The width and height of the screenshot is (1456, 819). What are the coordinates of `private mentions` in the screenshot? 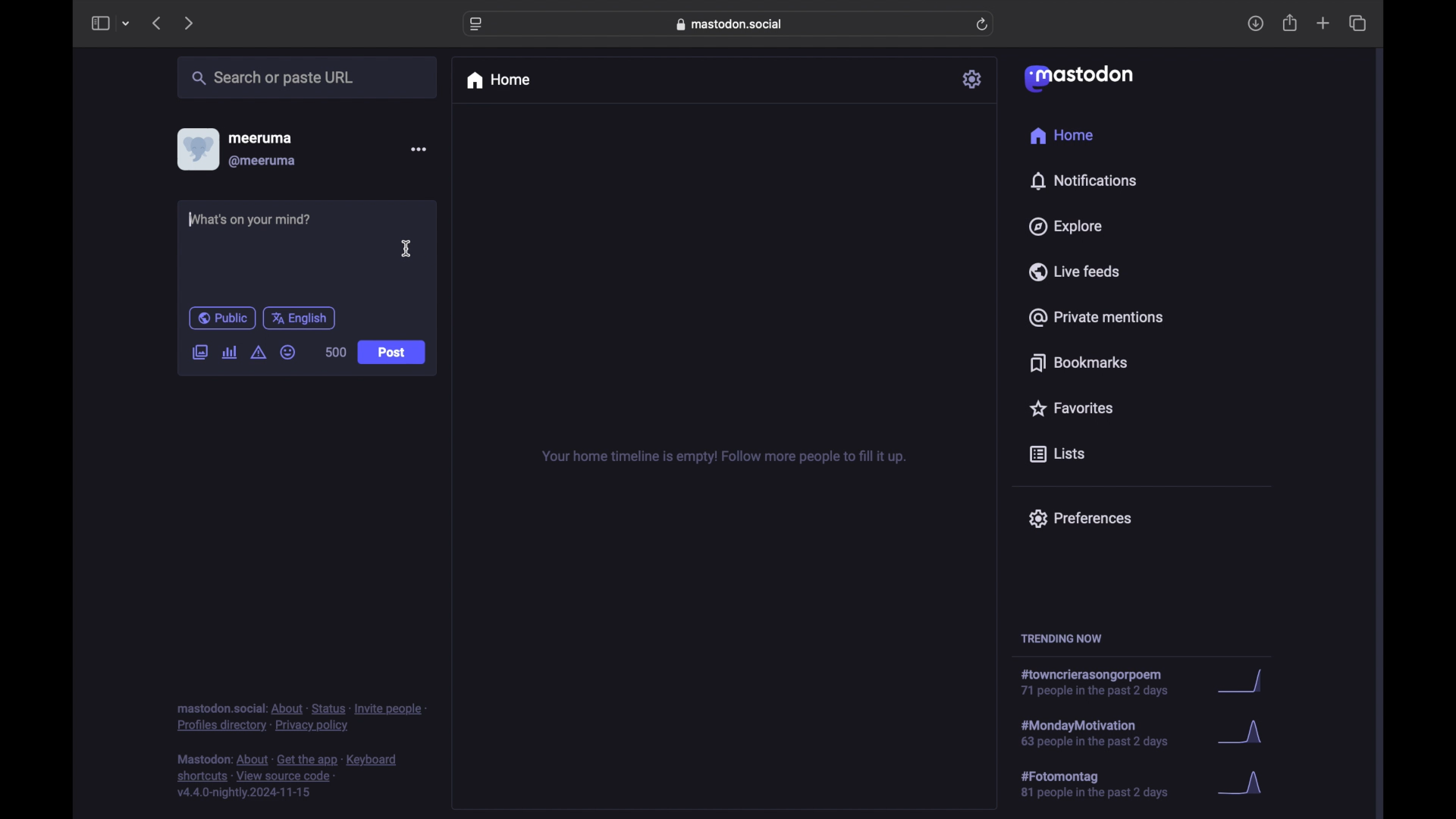 It's located at (1095, 317).